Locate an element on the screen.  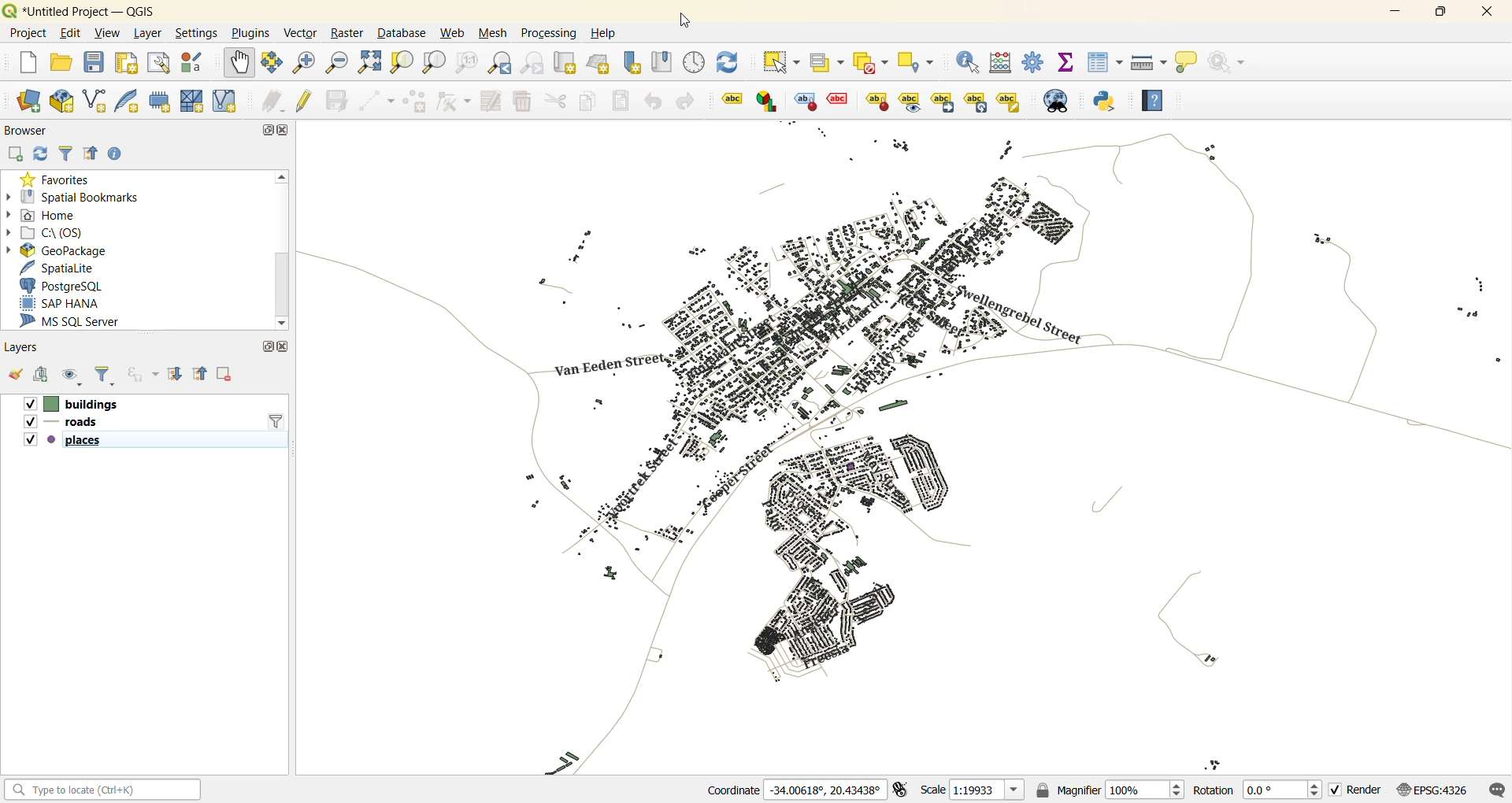
zoom next is located at coordinates (533, 65).